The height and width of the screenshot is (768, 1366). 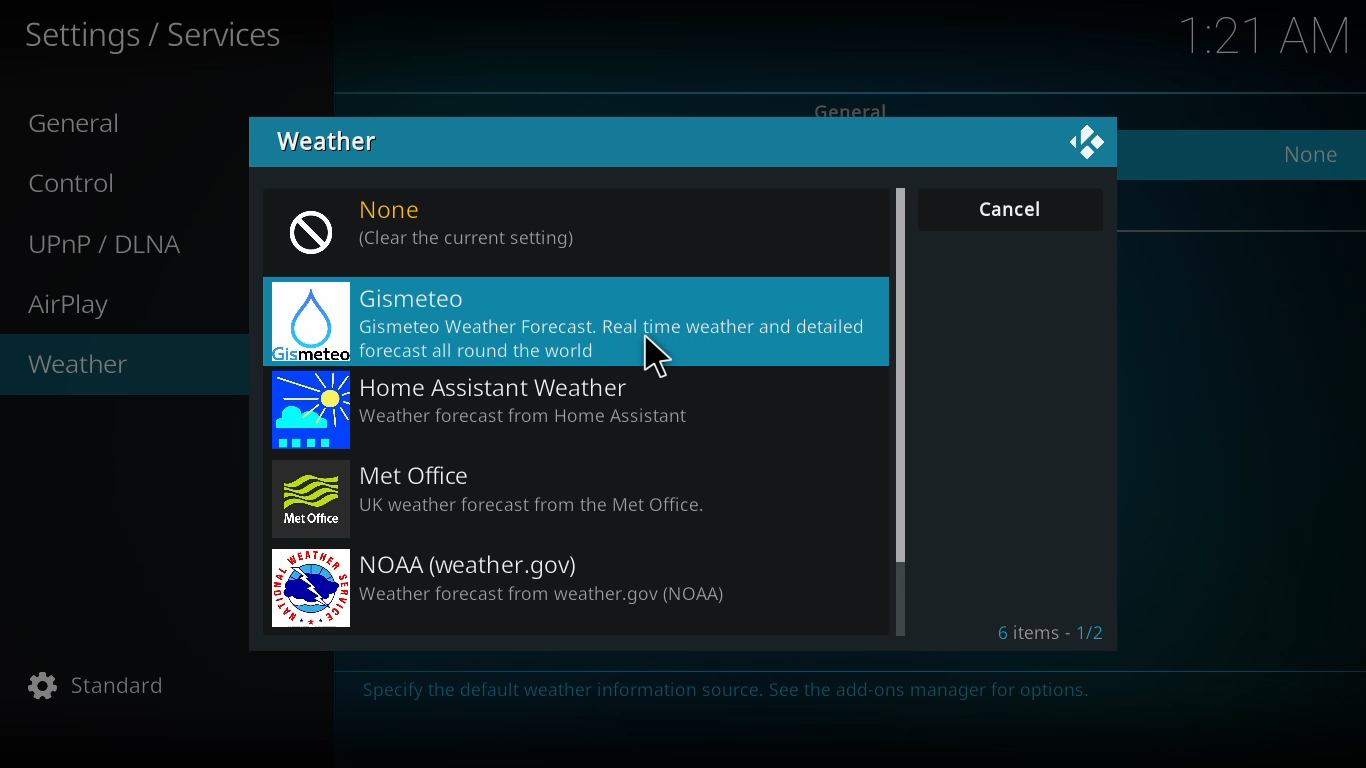 What do you see at coordinates (438, 227) in the screenshot?
I see `none` at bounding box center [438, 227].